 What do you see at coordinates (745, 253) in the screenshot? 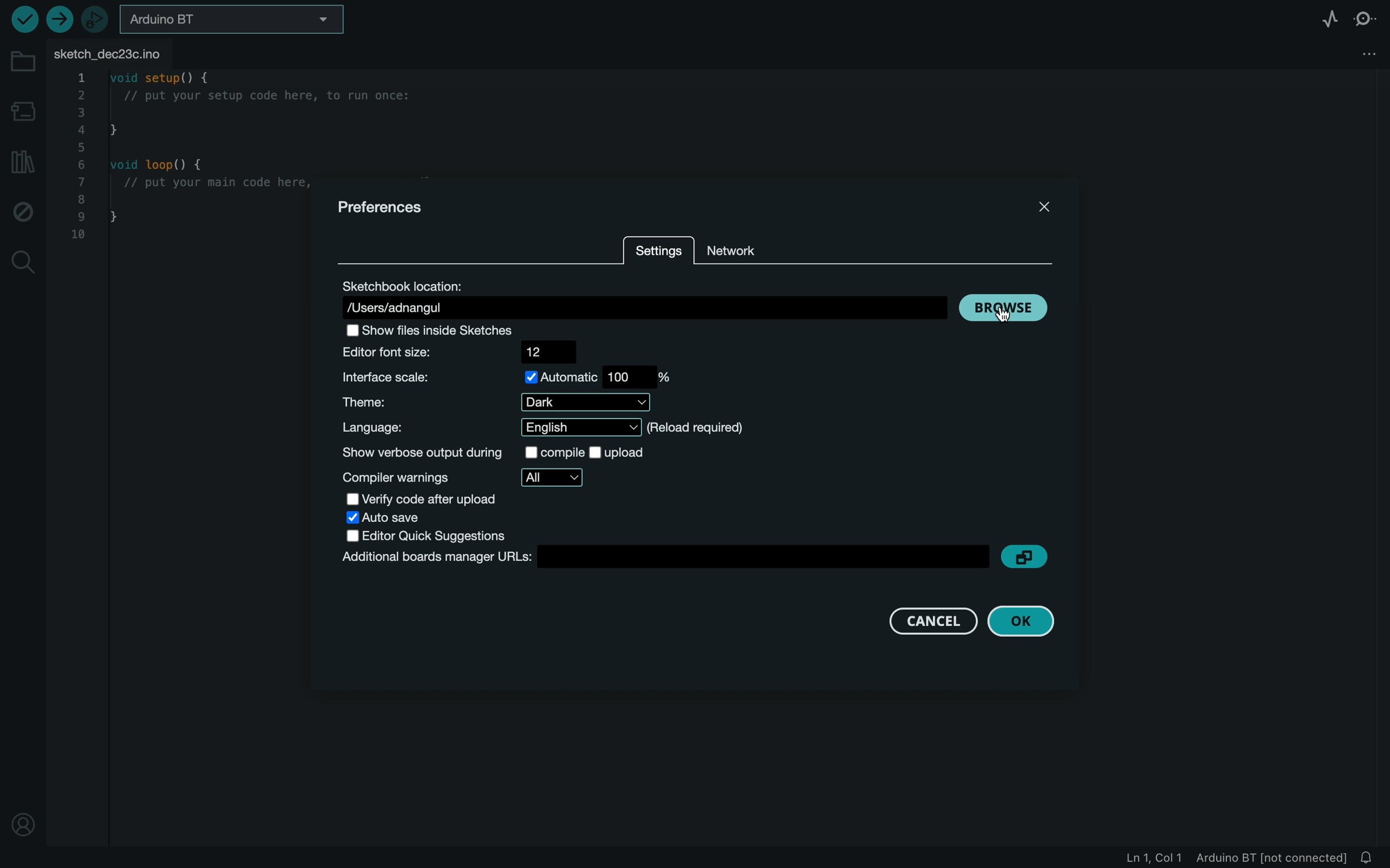
I see `network` at bounding box center [745, 253].